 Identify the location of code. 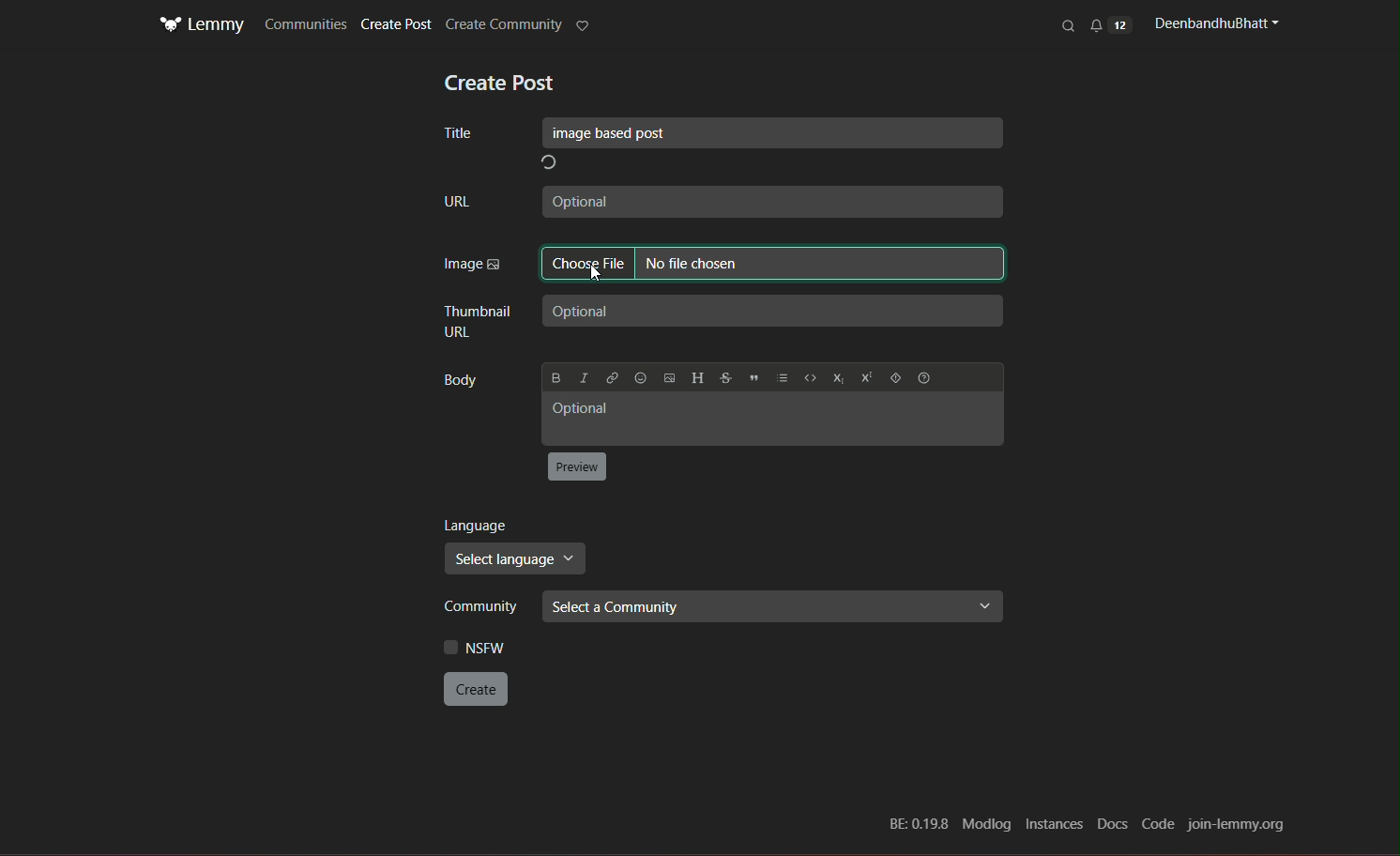
(813, 375).